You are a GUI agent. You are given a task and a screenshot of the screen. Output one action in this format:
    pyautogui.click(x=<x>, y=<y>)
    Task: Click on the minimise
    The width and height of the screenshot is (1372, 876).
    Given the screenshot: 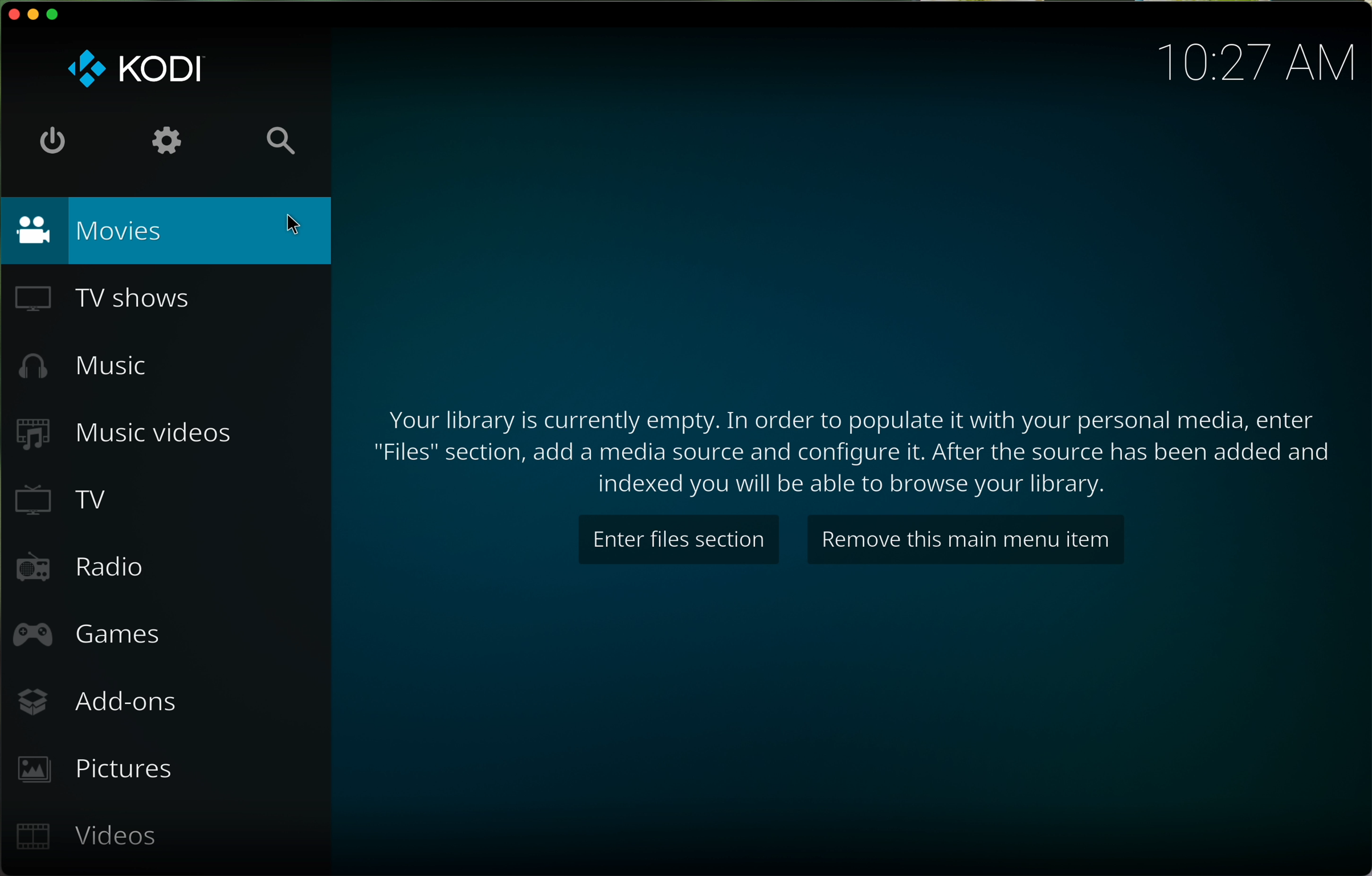 What is the action you would take?
    pyautogui.click(x=35, y=14)
    